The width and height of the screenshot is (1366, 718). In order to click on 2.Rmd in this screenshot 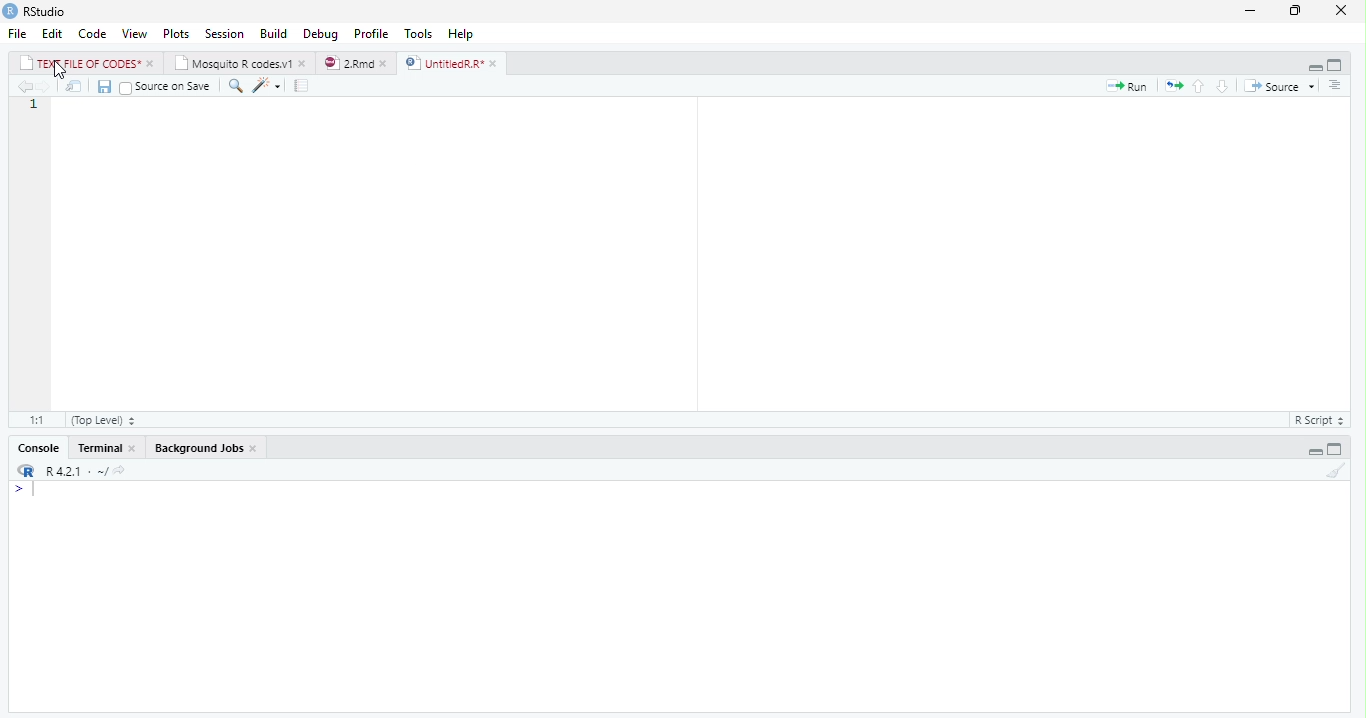, I will do `click(356, 64)`.